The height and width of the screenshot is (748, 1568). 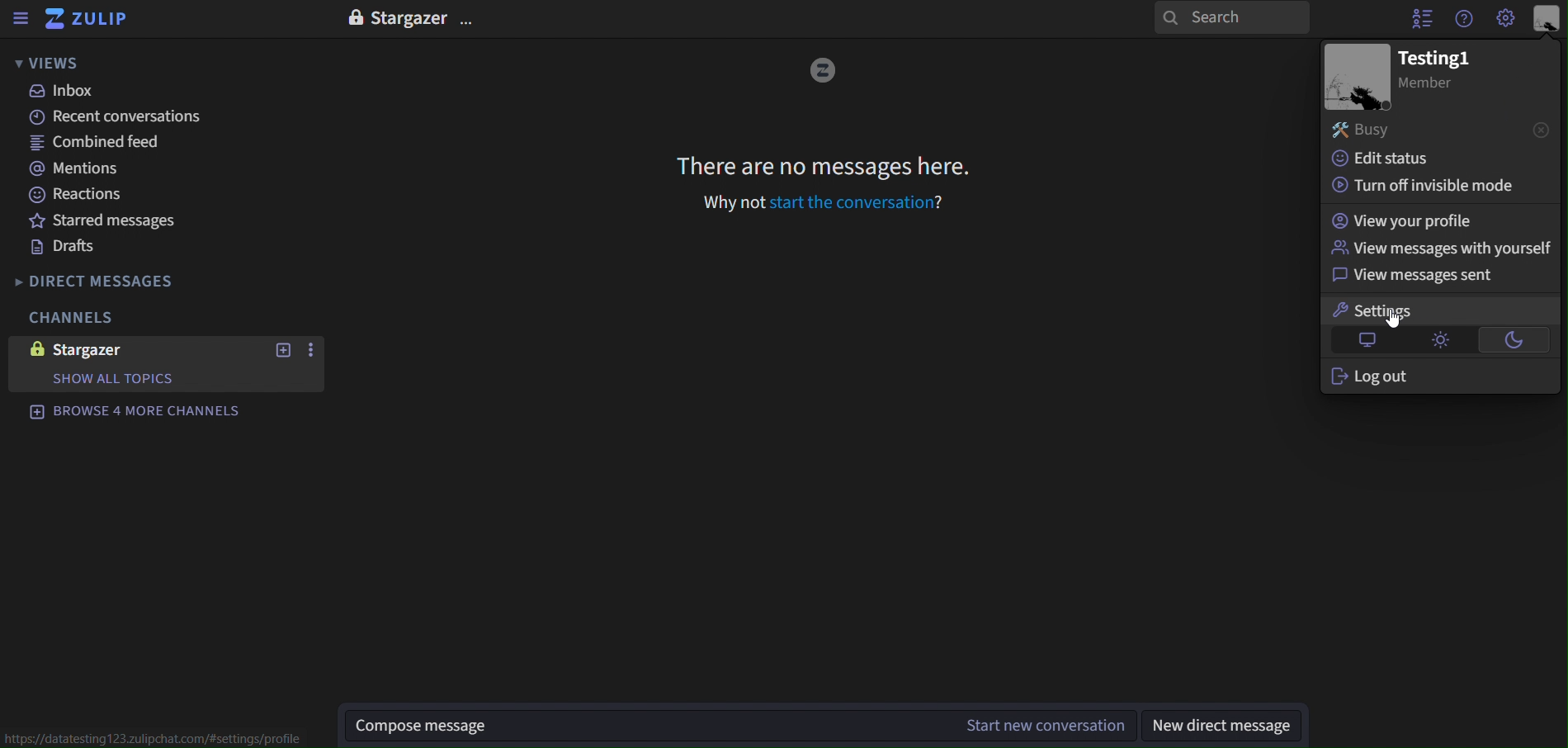 I want to click on channels, so click(x=73, y=317).